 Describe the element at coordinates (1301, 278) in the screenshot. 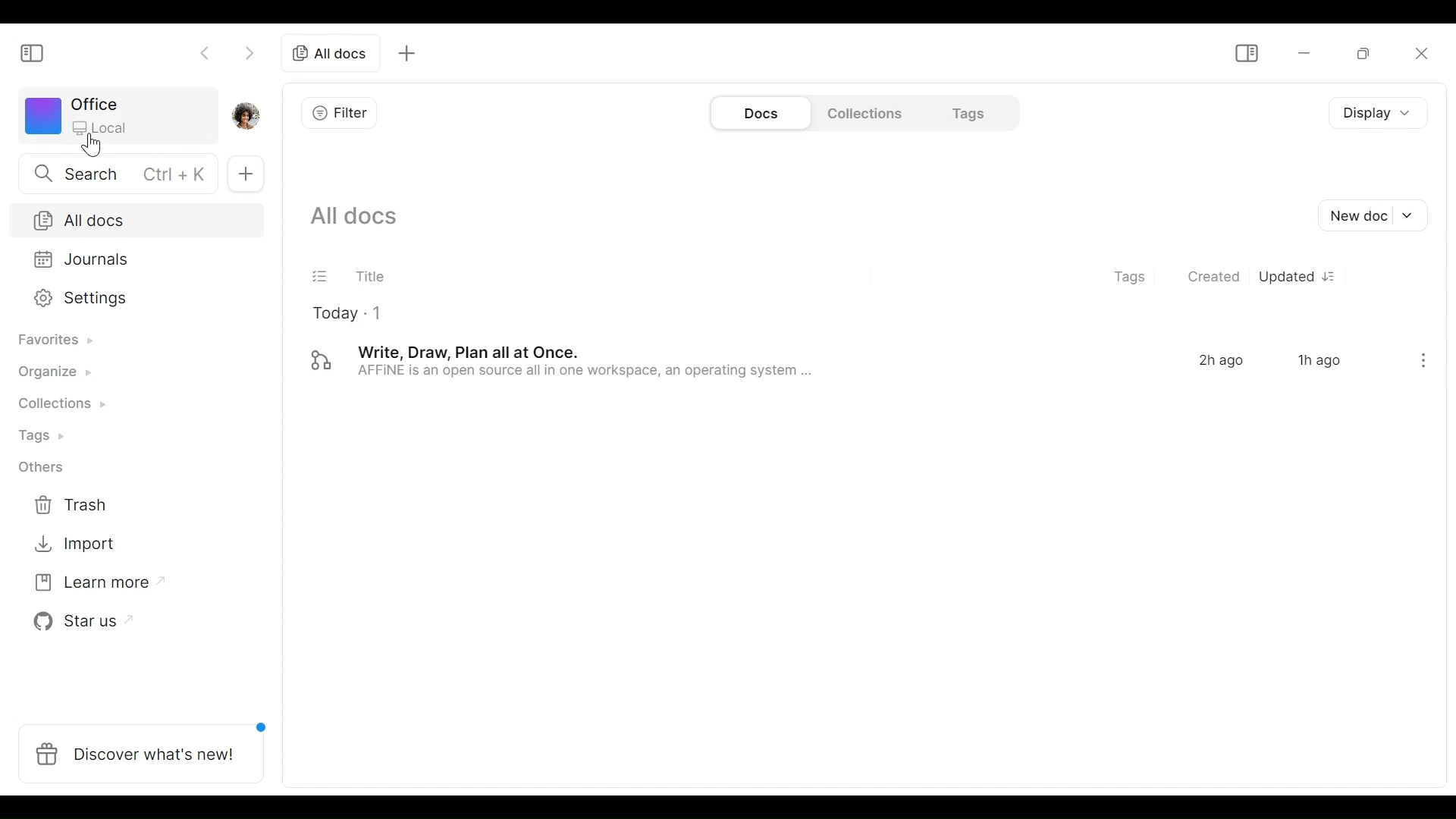

I see `Updated` at that location.